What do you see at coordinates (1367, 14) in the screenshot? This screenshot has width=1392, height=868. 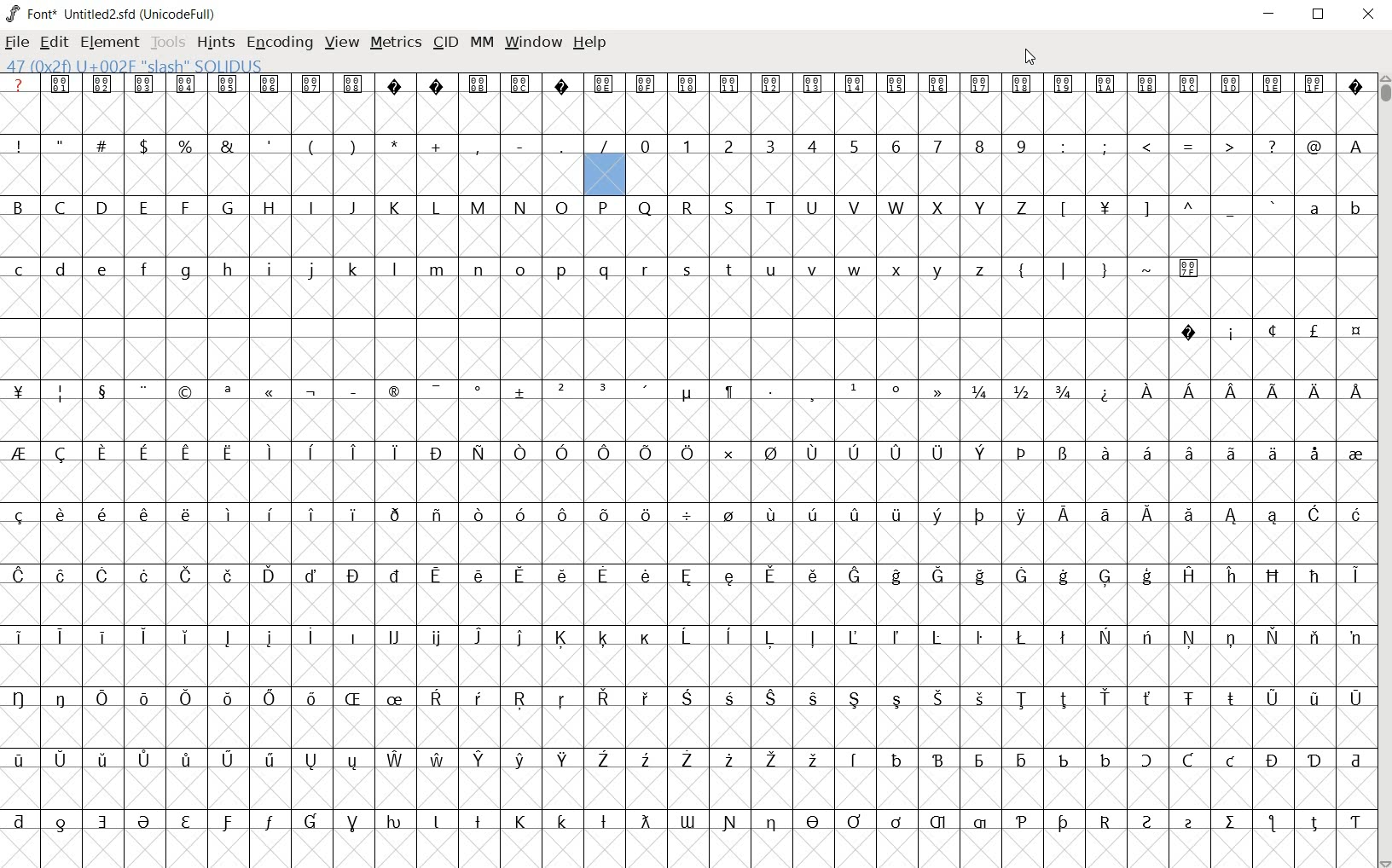 I see `CLOSE` at bounding box center [1367, 14].